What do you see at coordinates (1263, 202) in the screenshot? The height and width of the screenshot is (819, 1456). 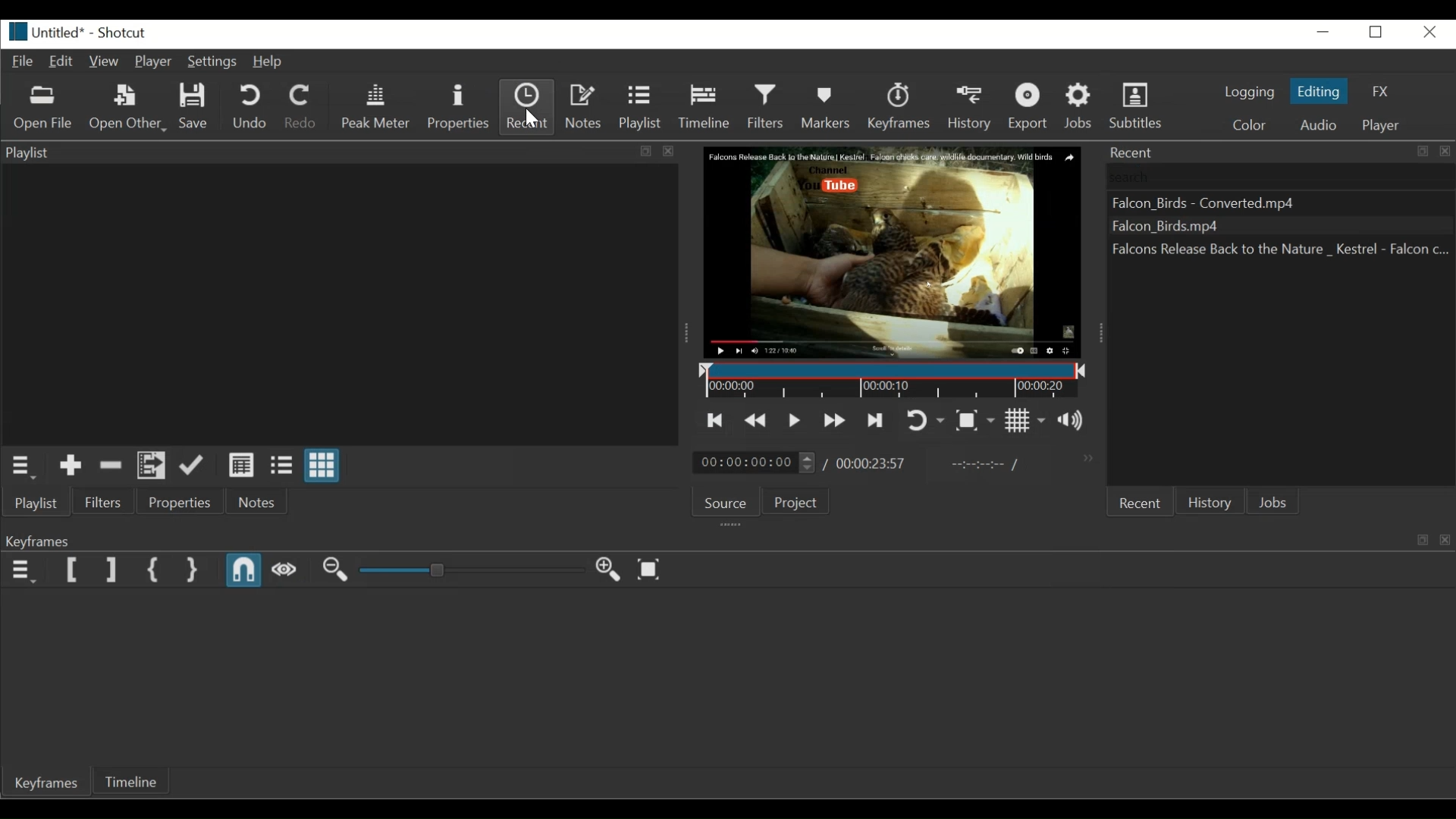 I see `File Name` at bounding box center [1263, 202].